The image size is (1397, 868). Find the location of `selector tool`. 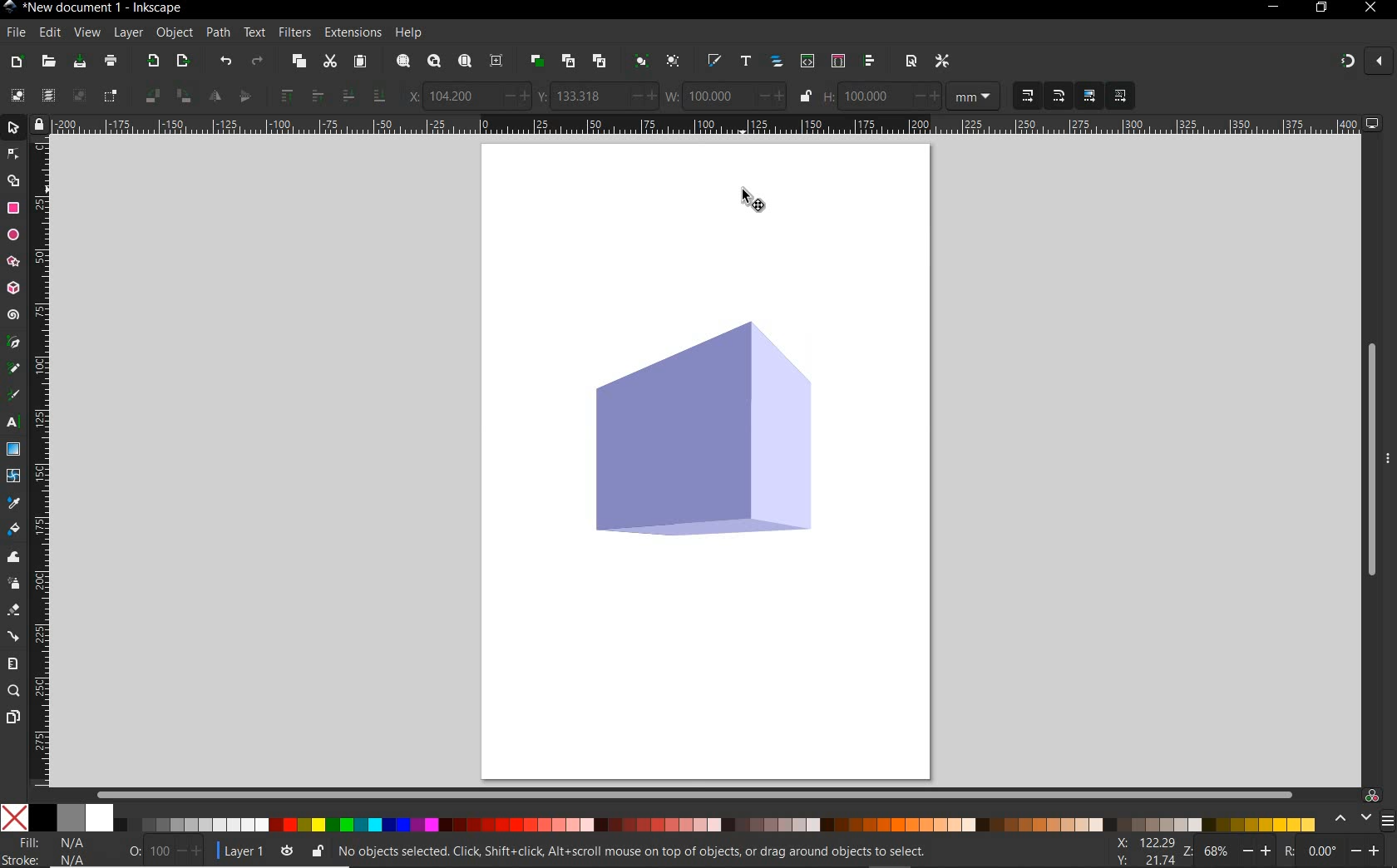

selector tool is located at coordinates (758, 203).